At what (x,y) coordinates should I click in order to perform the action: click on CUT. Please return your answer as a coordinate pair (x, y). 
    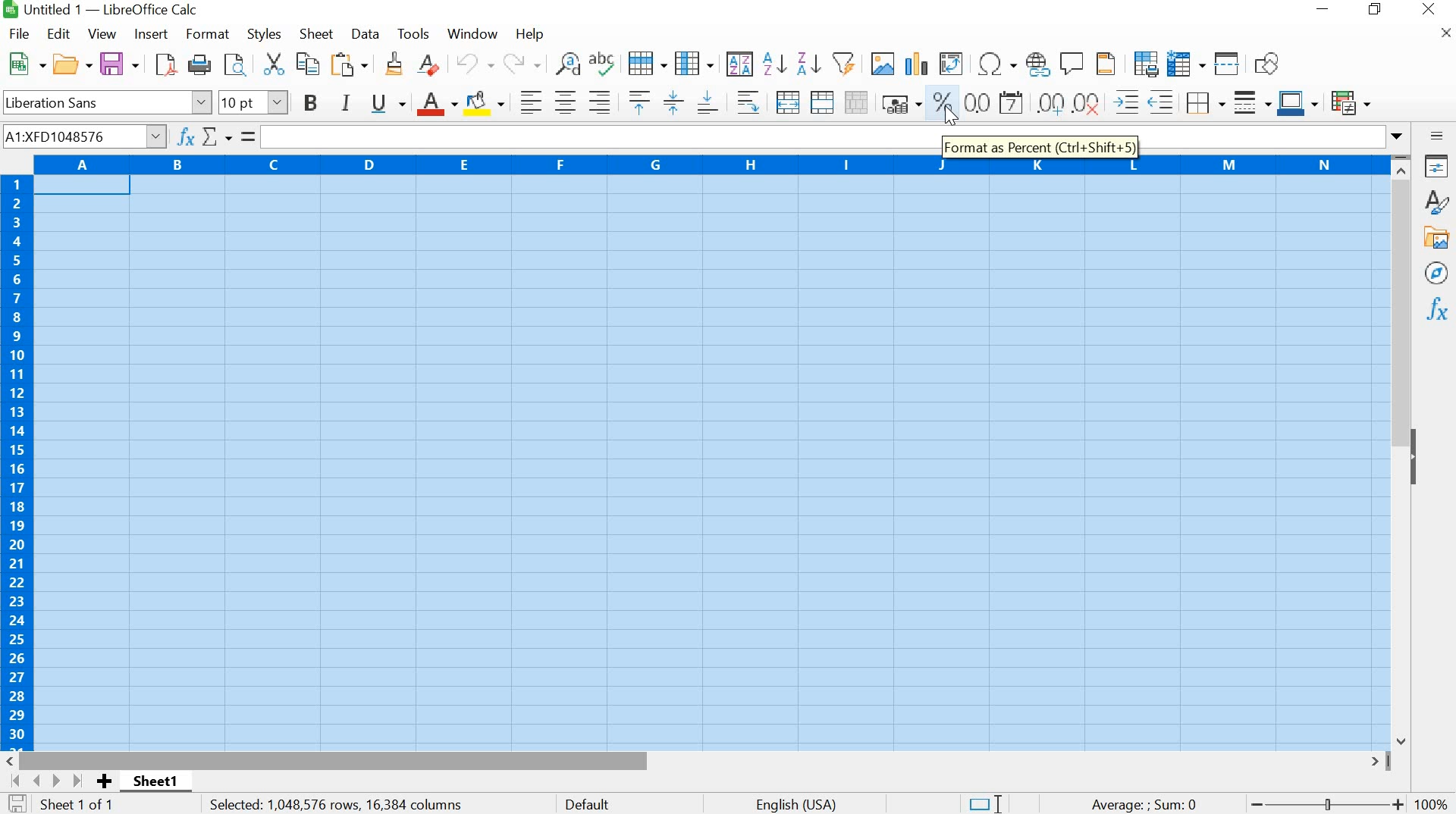
    Looking at the image, I should click on (276, 64).